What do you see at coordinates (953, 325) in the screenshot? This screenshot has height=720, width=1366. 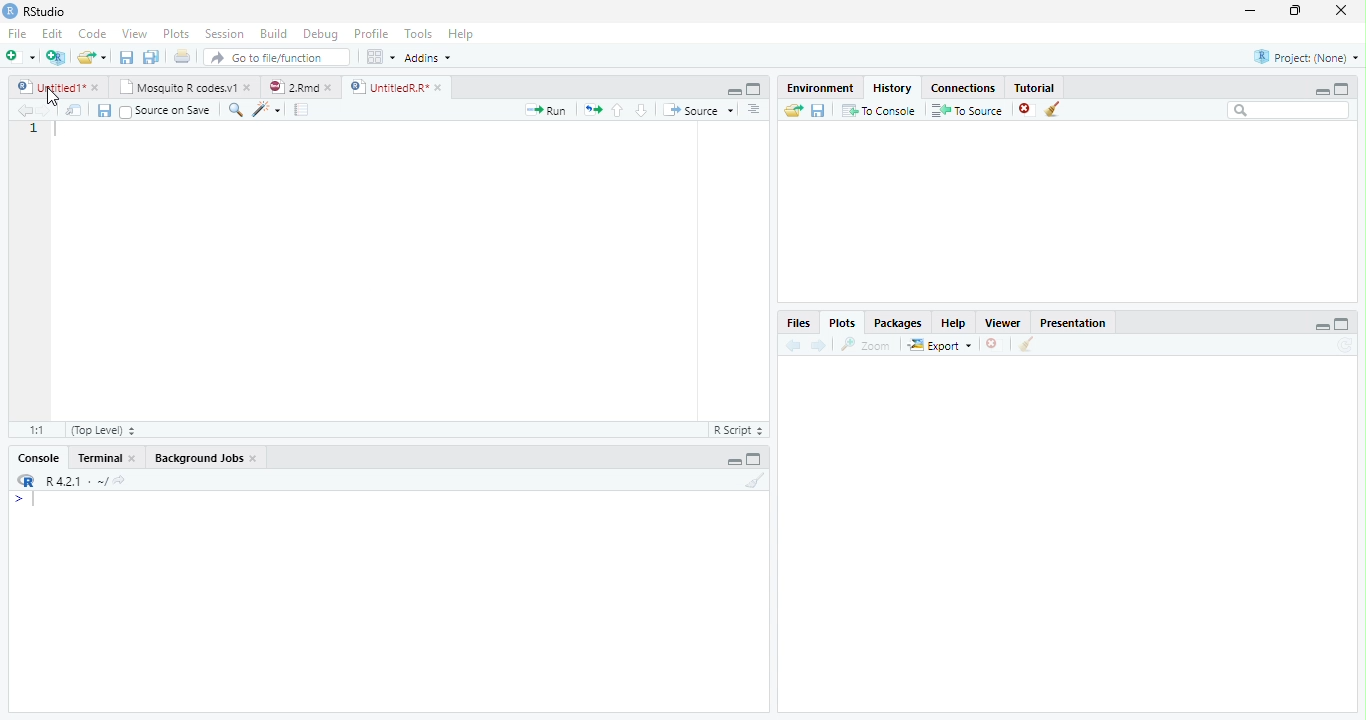 I see `Help` at bounding box center [953, 325].